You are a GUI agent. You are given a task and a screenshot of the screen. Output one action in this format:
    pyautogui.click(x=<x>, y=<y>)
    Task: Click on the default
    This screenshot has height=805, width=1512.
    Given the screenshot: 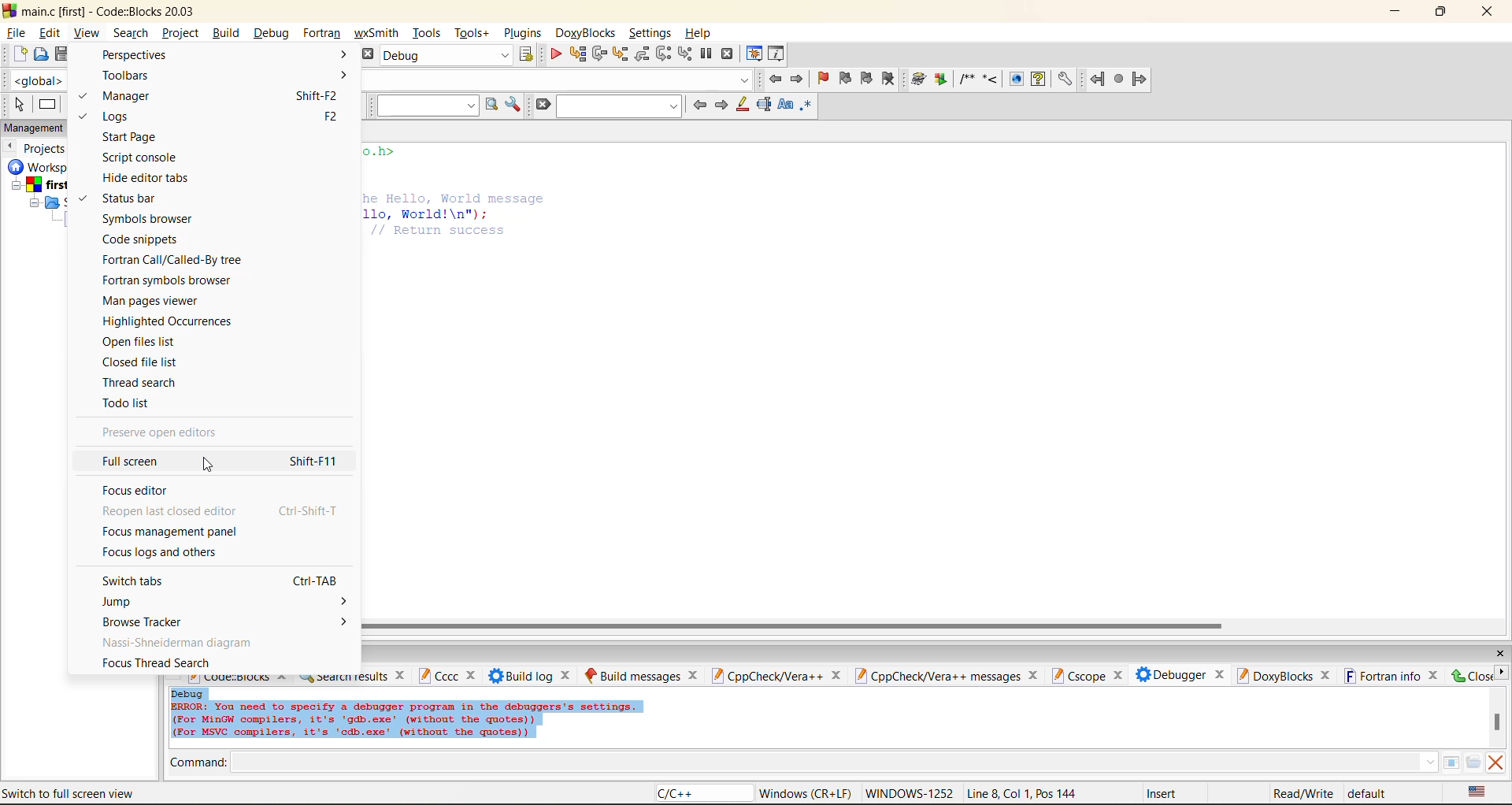 What is the action you would take?
    pyautogui.click(x=1367, y=794)
    